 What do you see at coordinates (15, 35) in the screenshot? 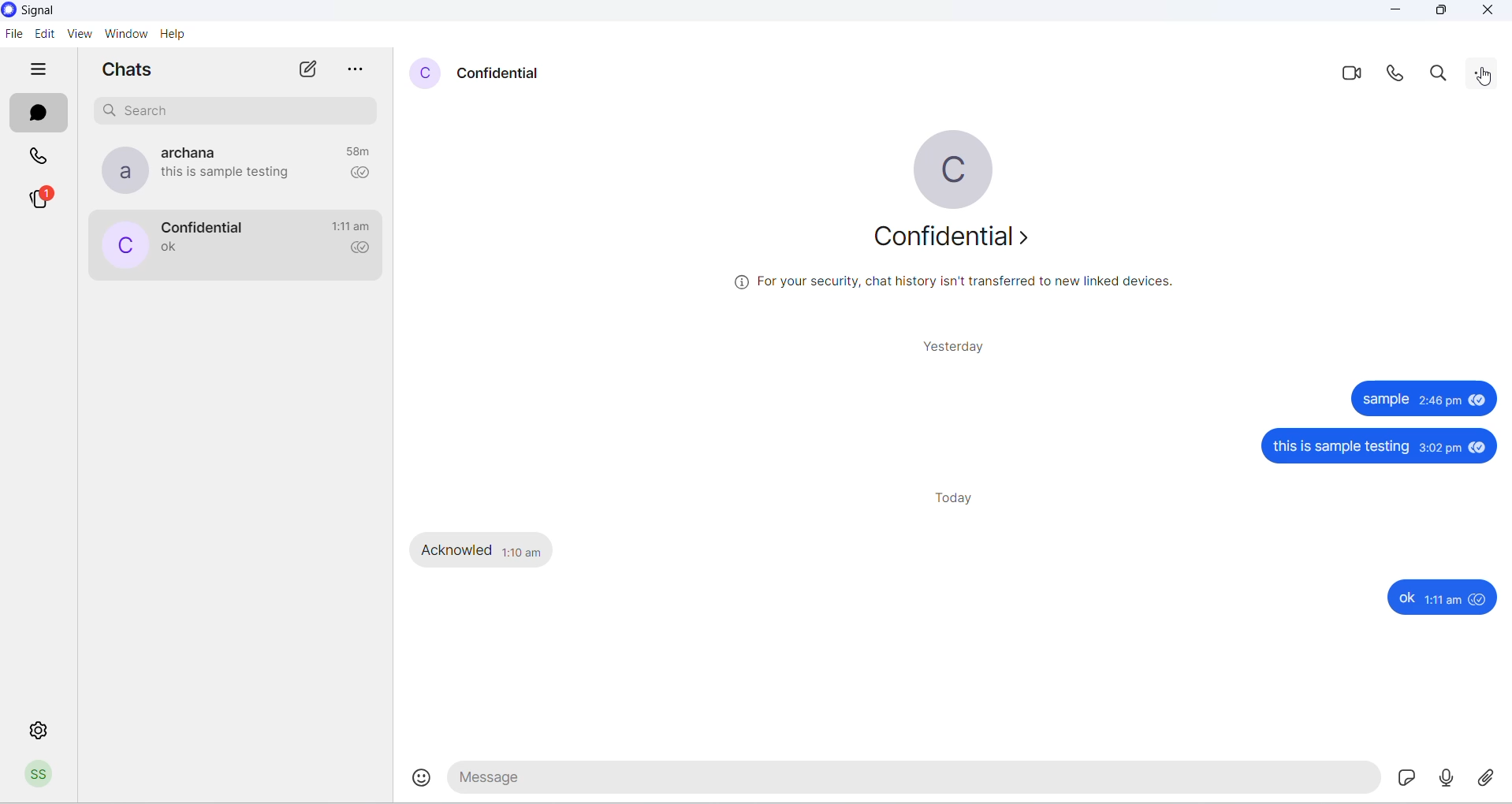
I see `file` at bounding box center [15, 35].